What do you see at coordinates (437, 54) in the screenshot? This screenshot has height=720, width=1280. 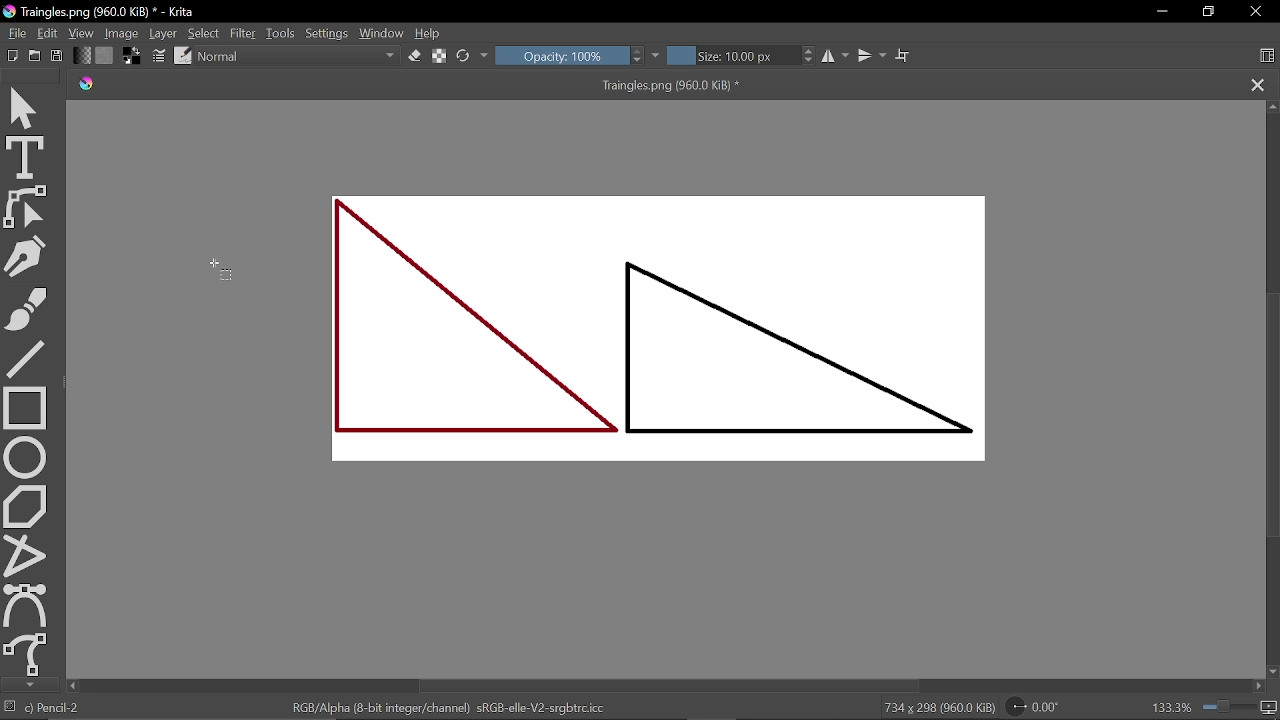 I see `Preserve alpha` at bounding box center [437, 54].